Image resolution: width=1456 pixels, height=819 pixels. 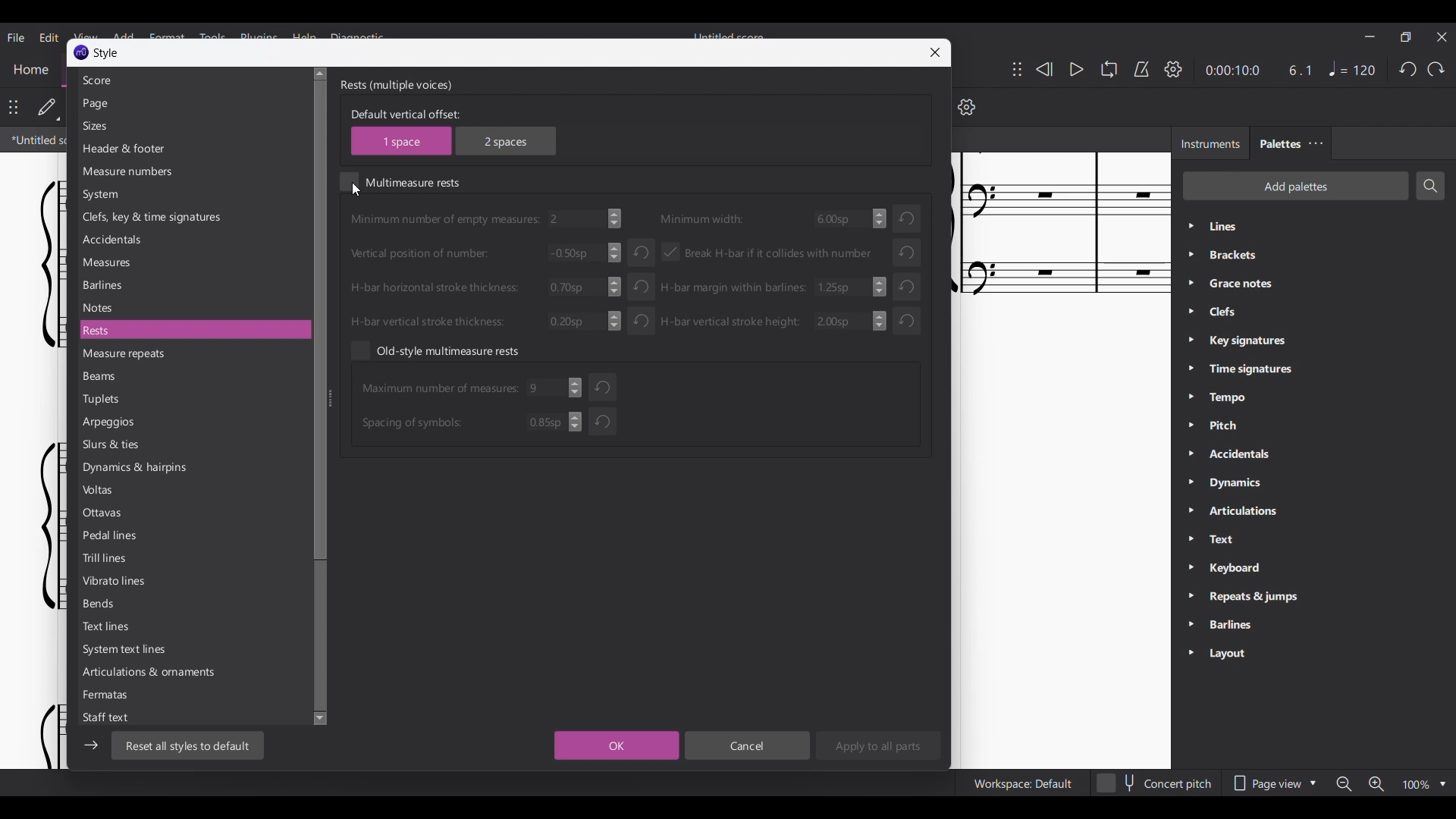 I want to click on Score, so click(x=193, y=80).